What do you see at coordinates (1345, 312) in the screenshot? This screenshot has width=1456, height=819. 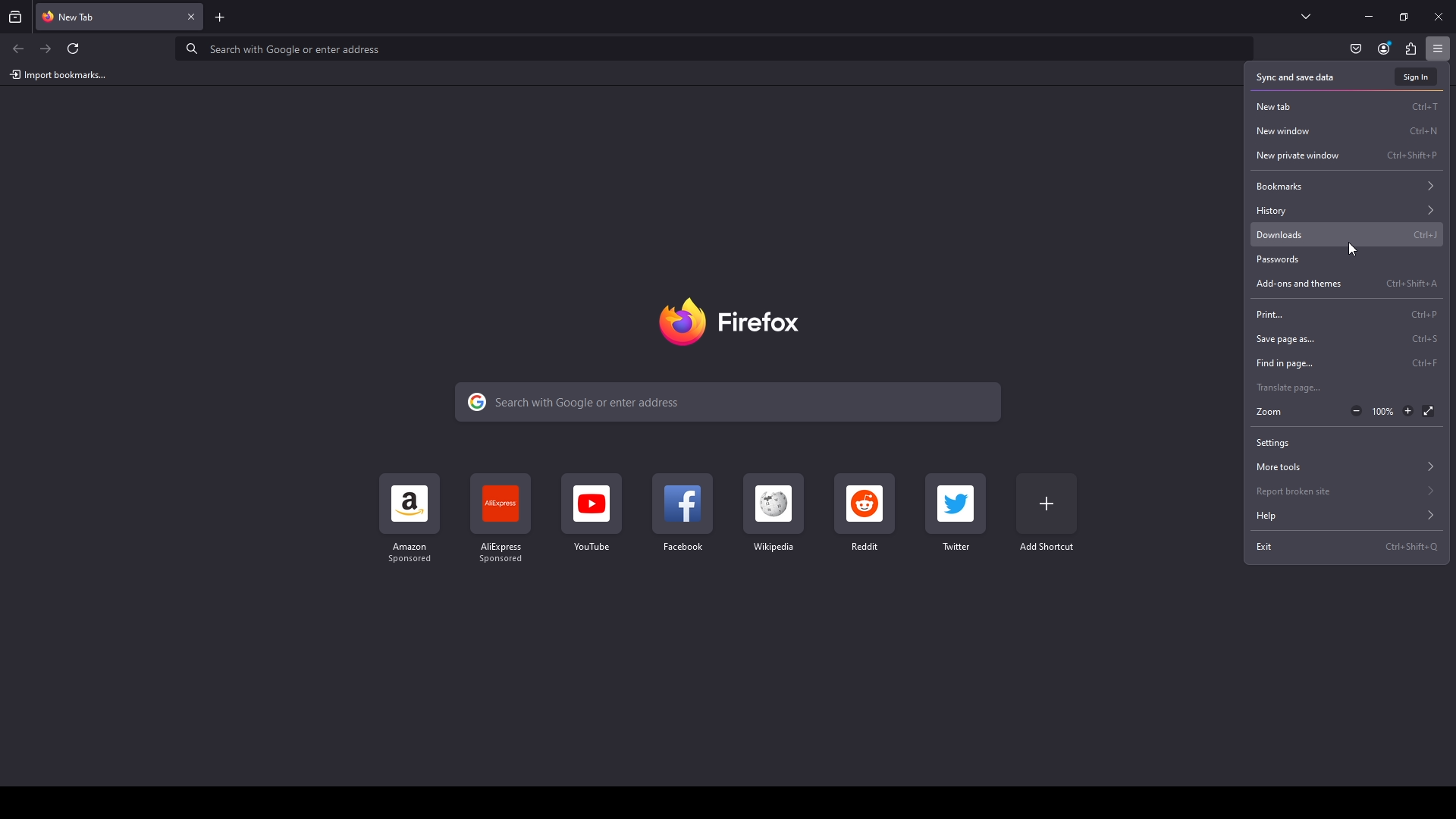 I see `Print` at bounding box center [1345, 312].